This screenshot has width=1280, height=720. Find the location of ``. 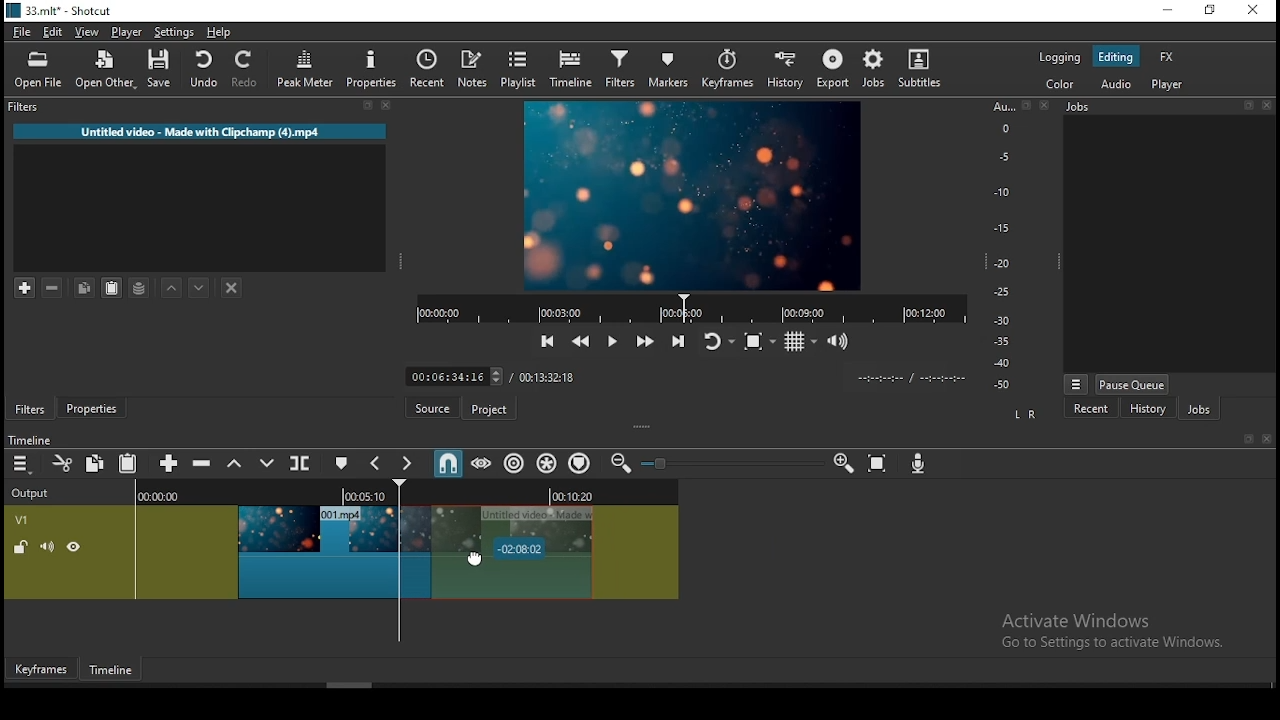

 is located at coordinates (1250, 106).